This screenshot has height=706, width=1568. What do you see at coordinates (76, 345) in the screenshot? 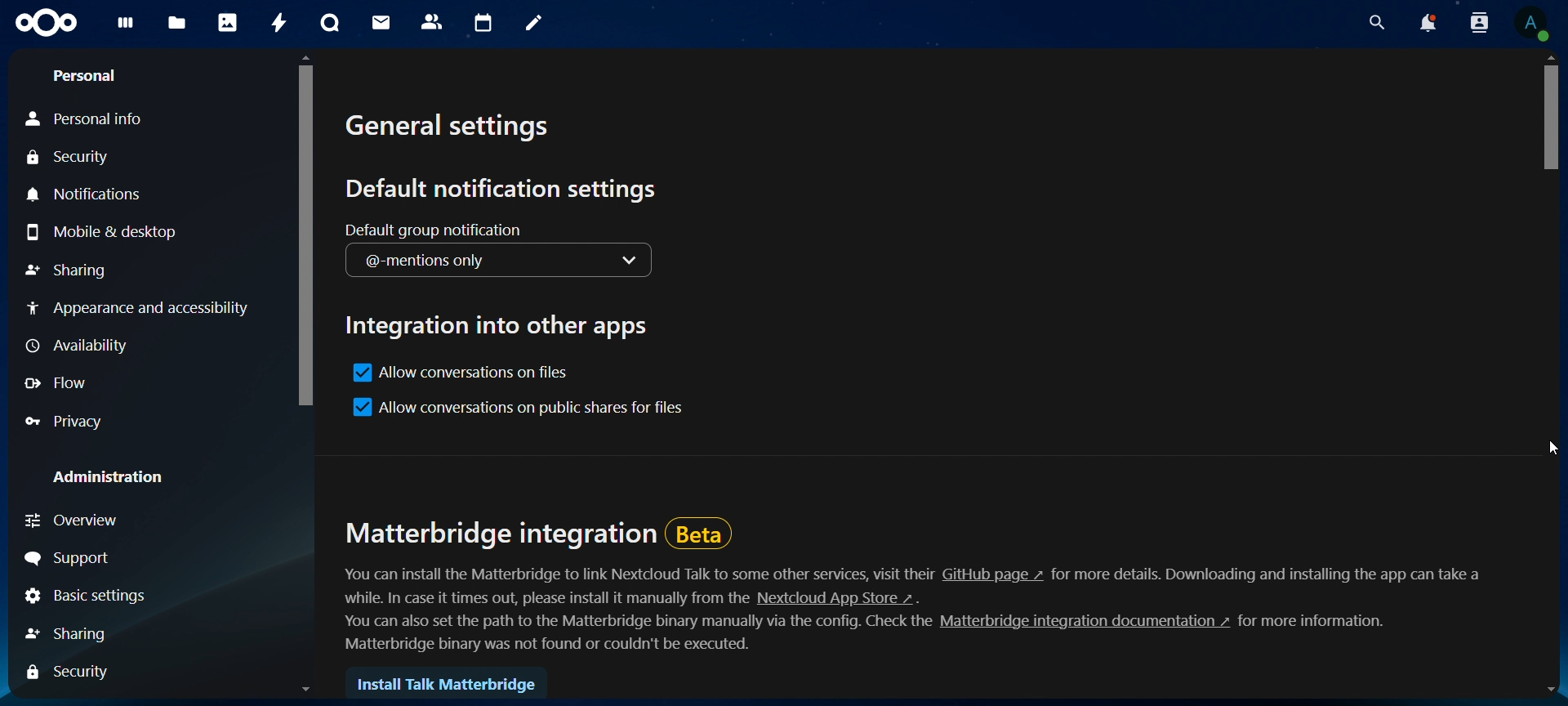
I see `Availability` at bounding box center [76, 345].